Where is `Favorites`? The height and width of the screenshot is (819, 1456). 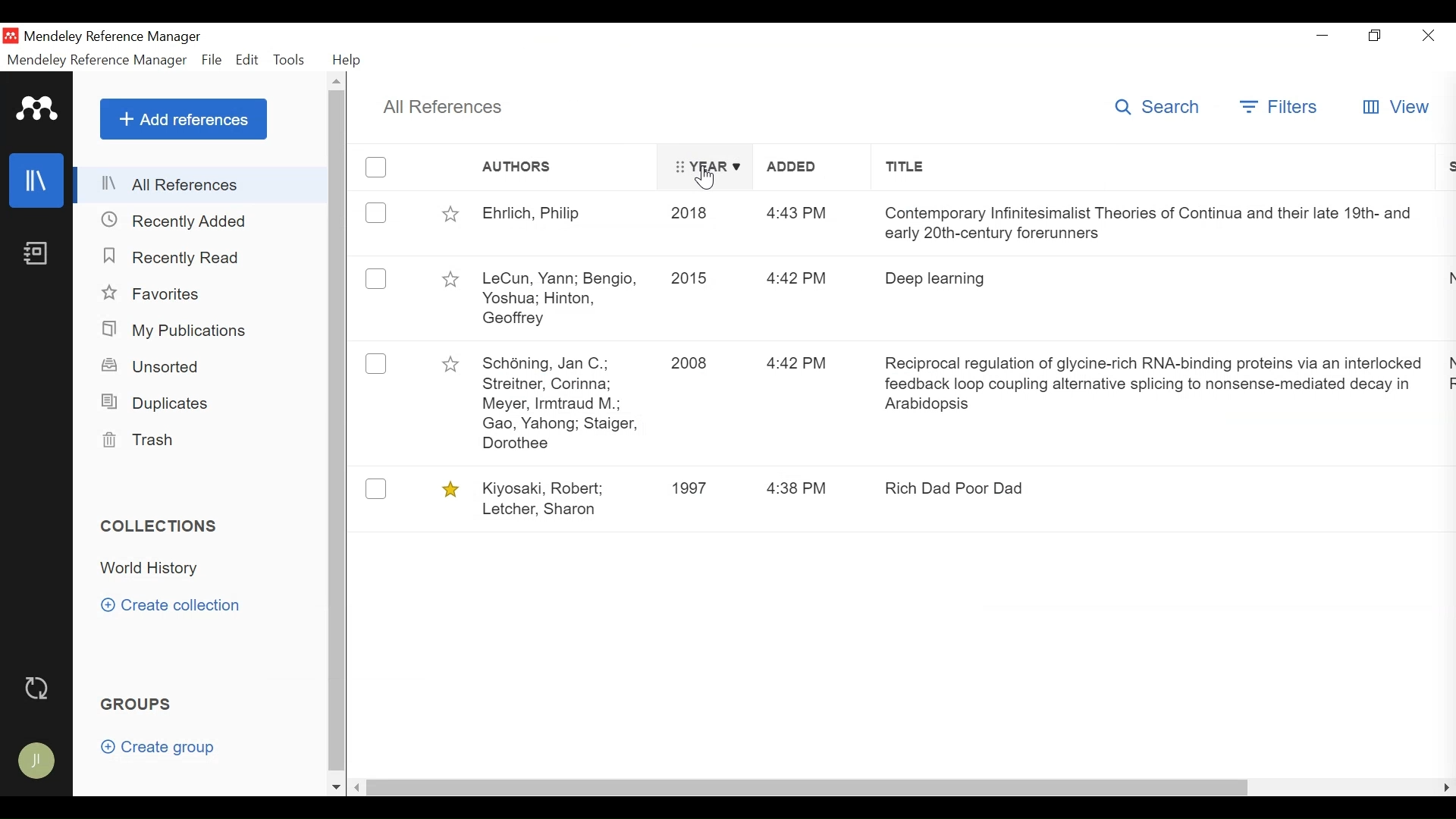
Favorites is located at coordinates (153, 293).